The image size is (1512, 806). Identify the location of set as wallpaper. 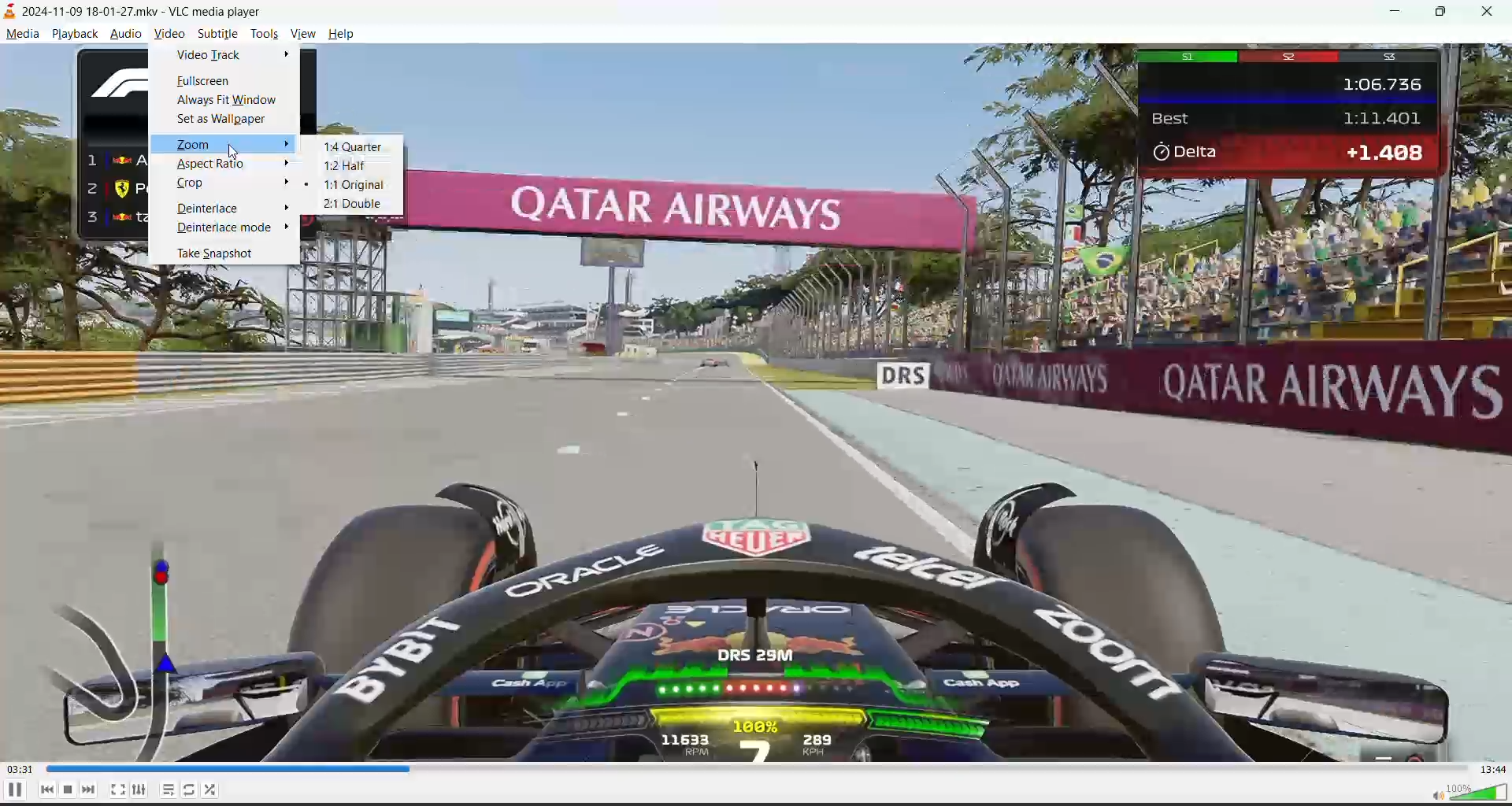
(227, 118).